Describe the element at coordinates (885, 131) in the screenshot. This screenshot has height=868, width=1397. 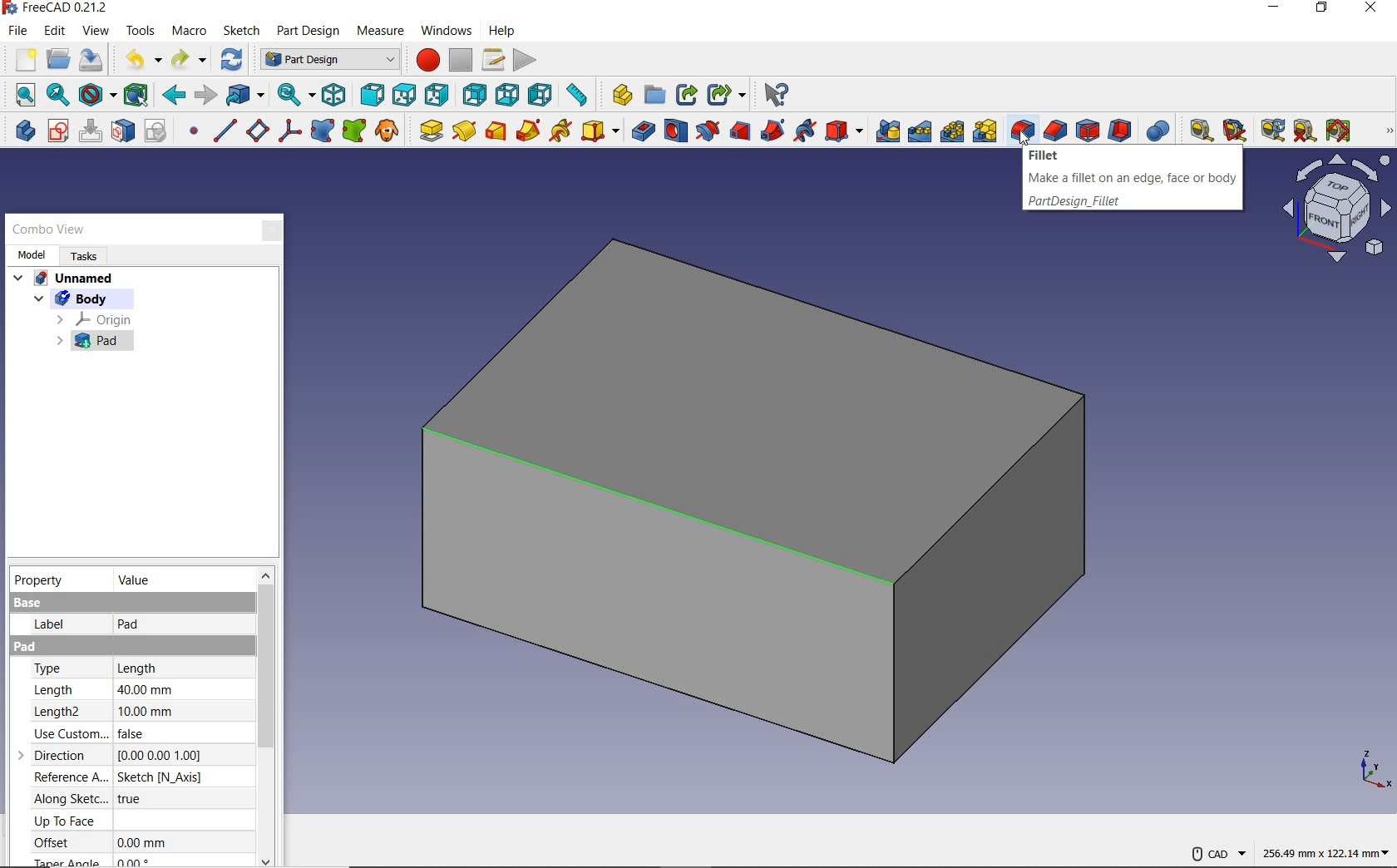
I see `mirrored` at that location.